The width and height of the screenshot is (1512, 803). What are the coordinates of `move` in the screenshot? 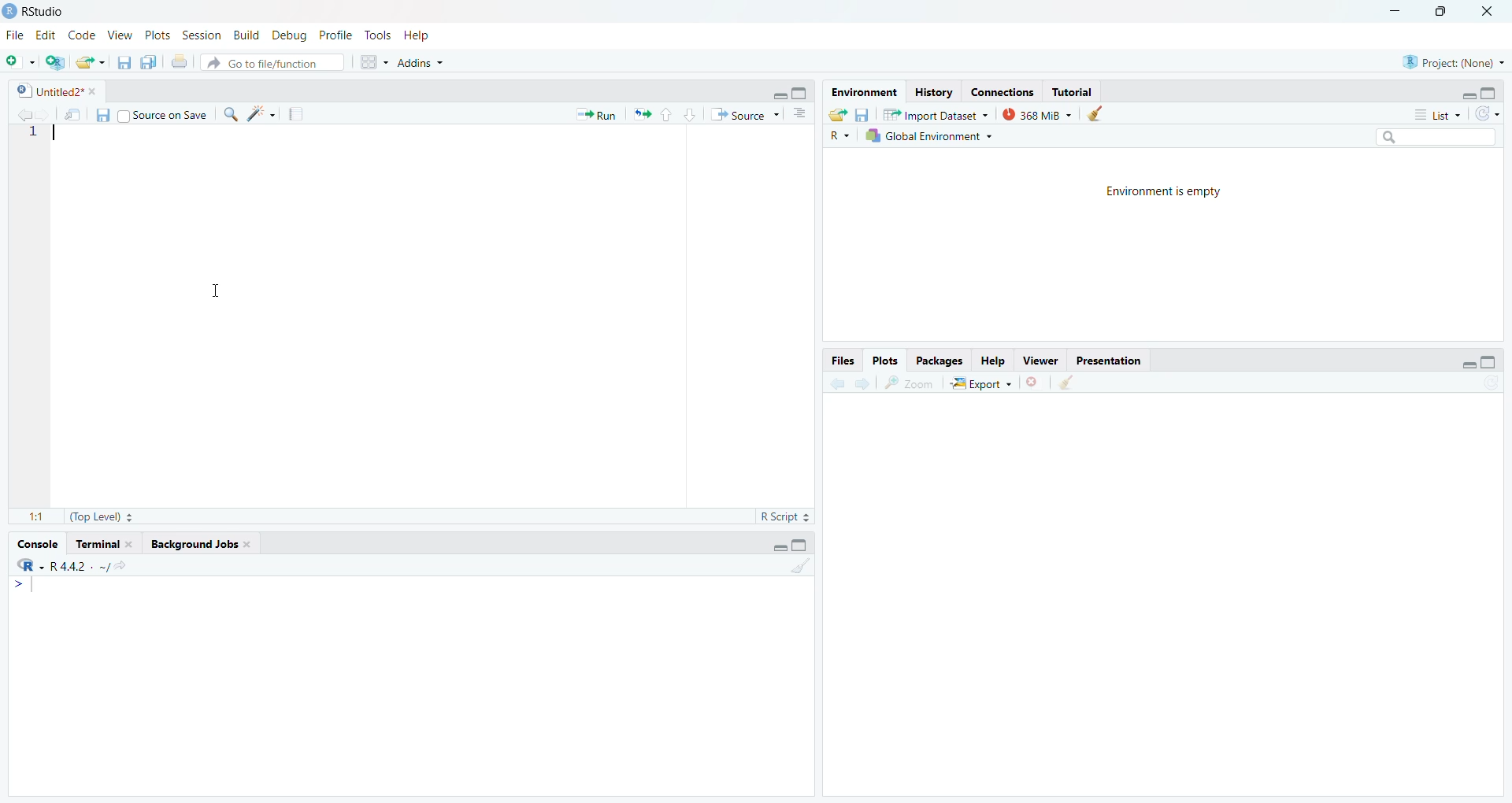 It's located at (74, 116).